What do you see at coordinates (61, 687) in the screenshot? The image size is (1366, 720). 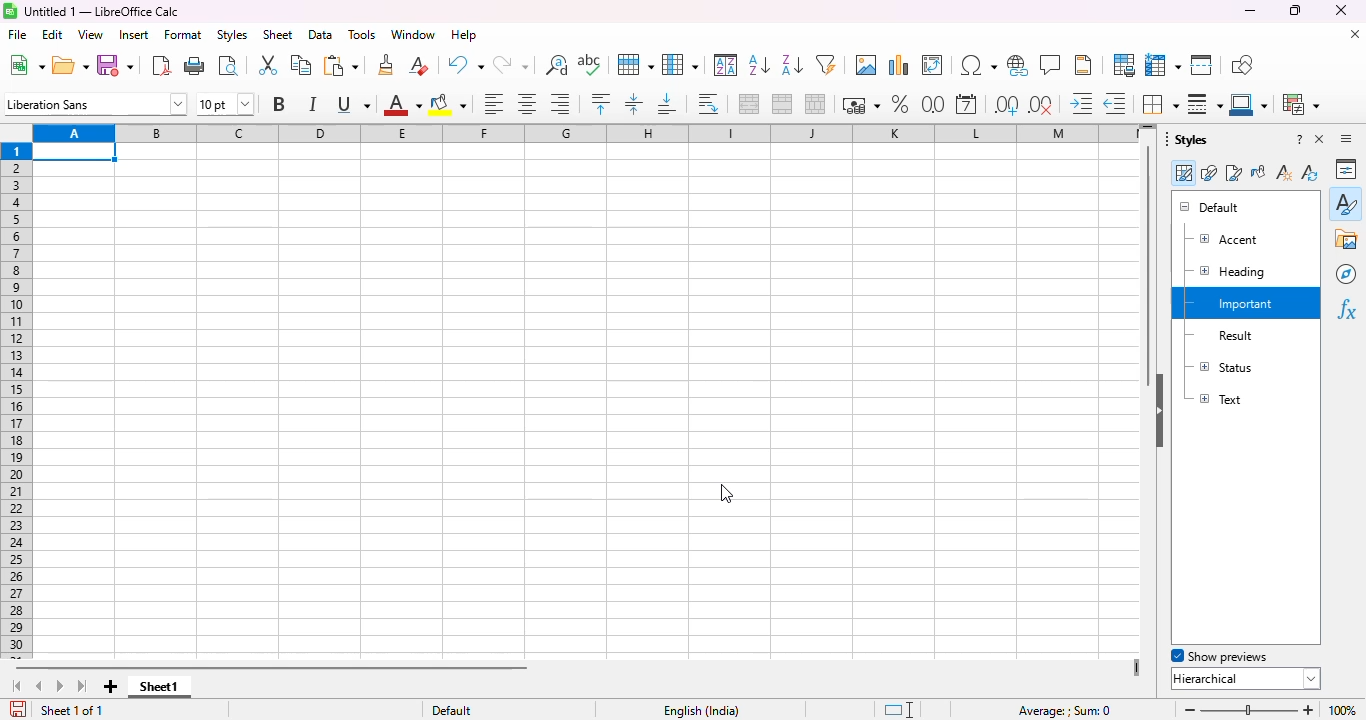 I see `scroll to next sheet` at bounding box center [61, 687].